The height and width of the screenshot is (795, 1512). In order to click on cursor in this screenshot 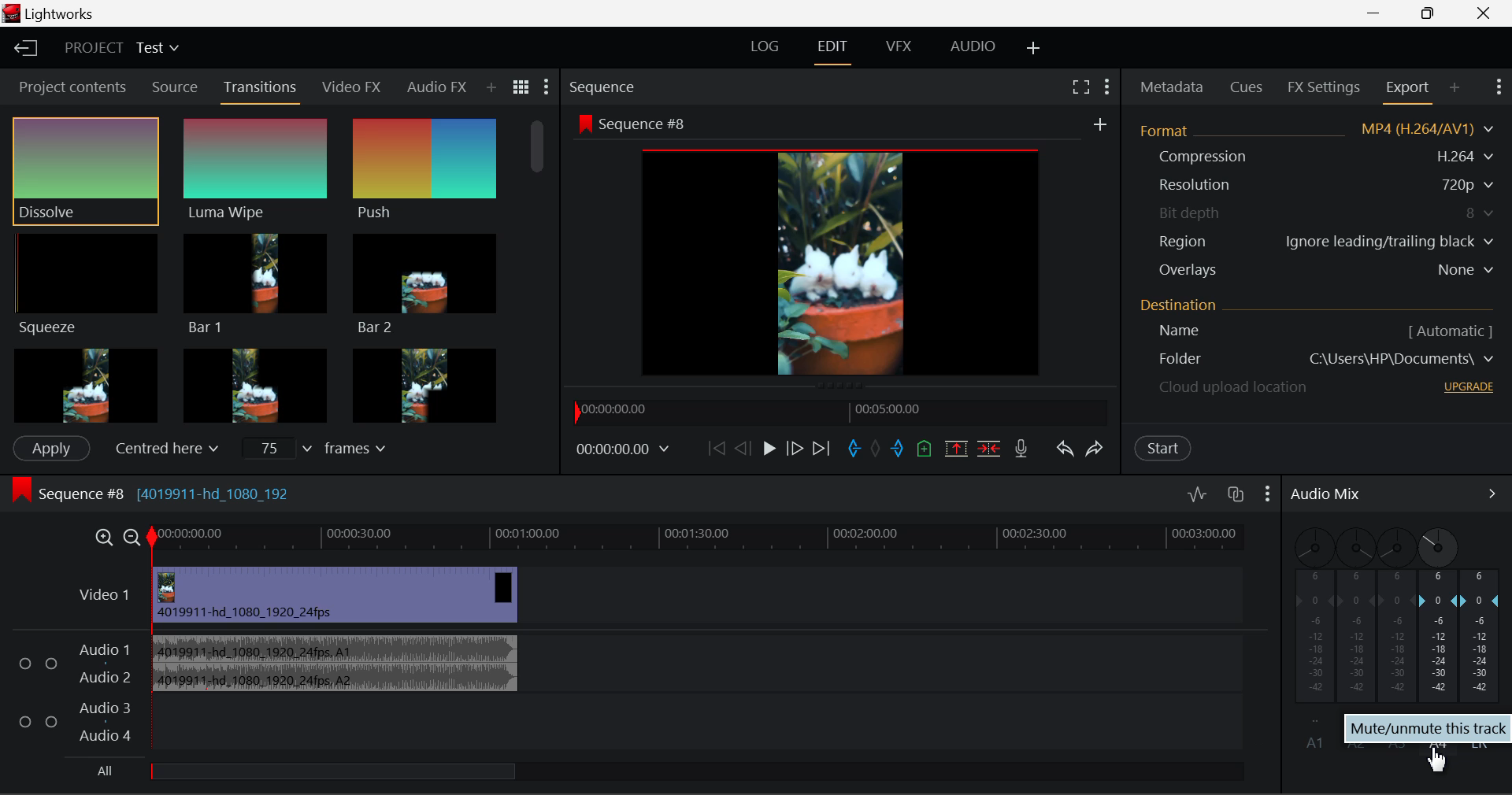, I will do `click(1440, 759)`.